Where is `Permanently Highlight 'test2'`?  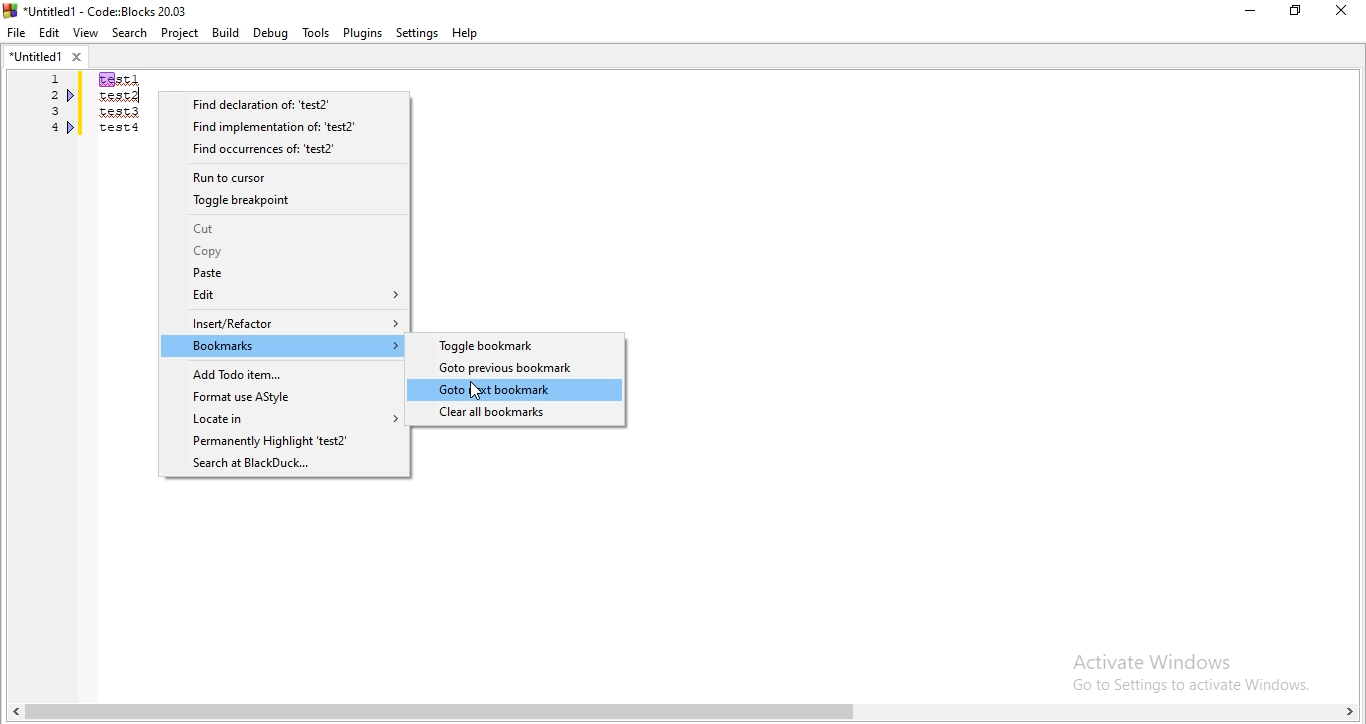
Permanently Highlight 'test2' is located at coordinates (283, 442).